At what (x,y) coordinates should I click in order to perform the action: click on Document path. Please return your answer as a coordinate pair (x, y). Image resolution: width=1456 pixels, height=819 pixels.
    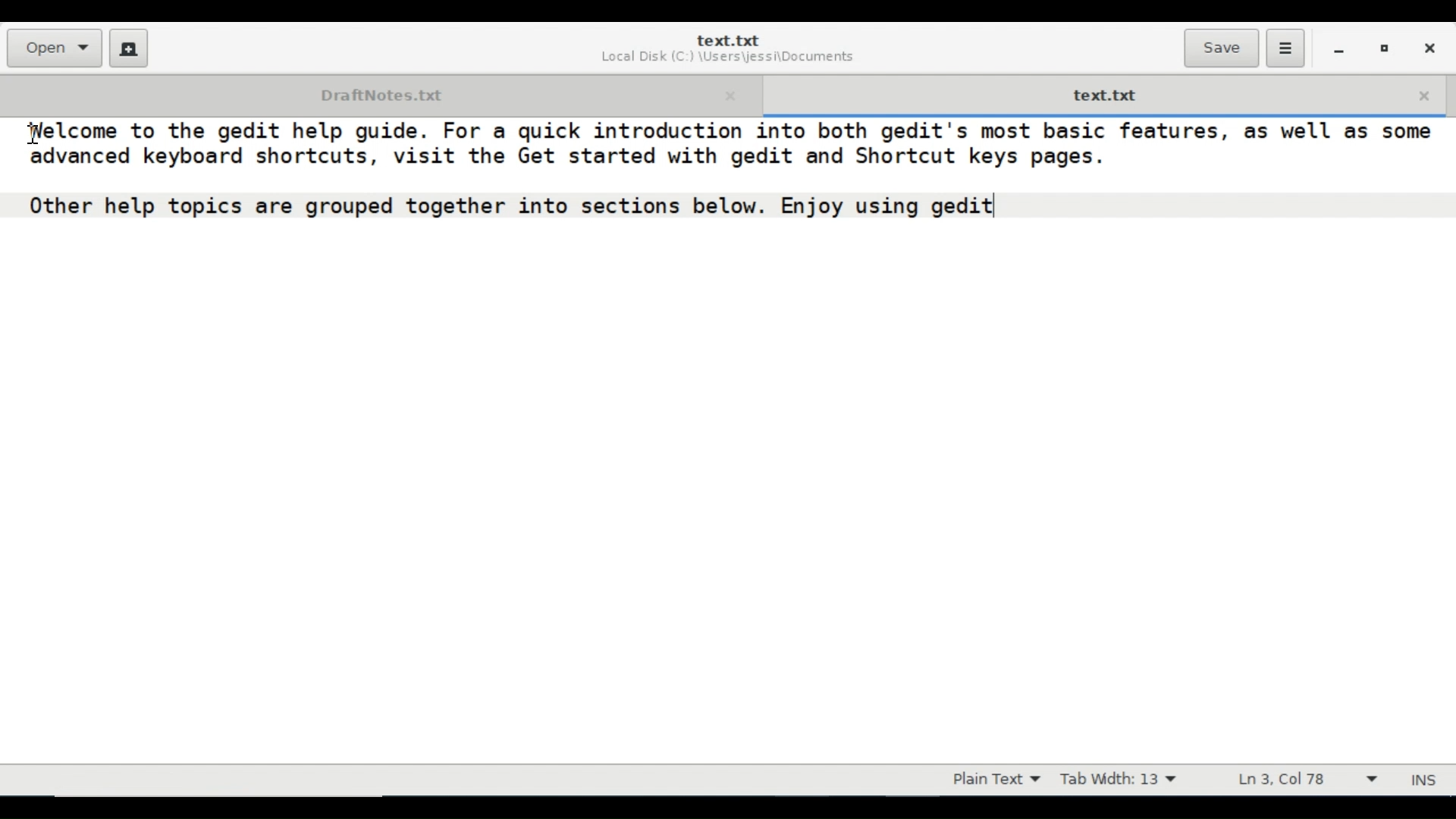
    Looking at the image, I should click on (726, 59).